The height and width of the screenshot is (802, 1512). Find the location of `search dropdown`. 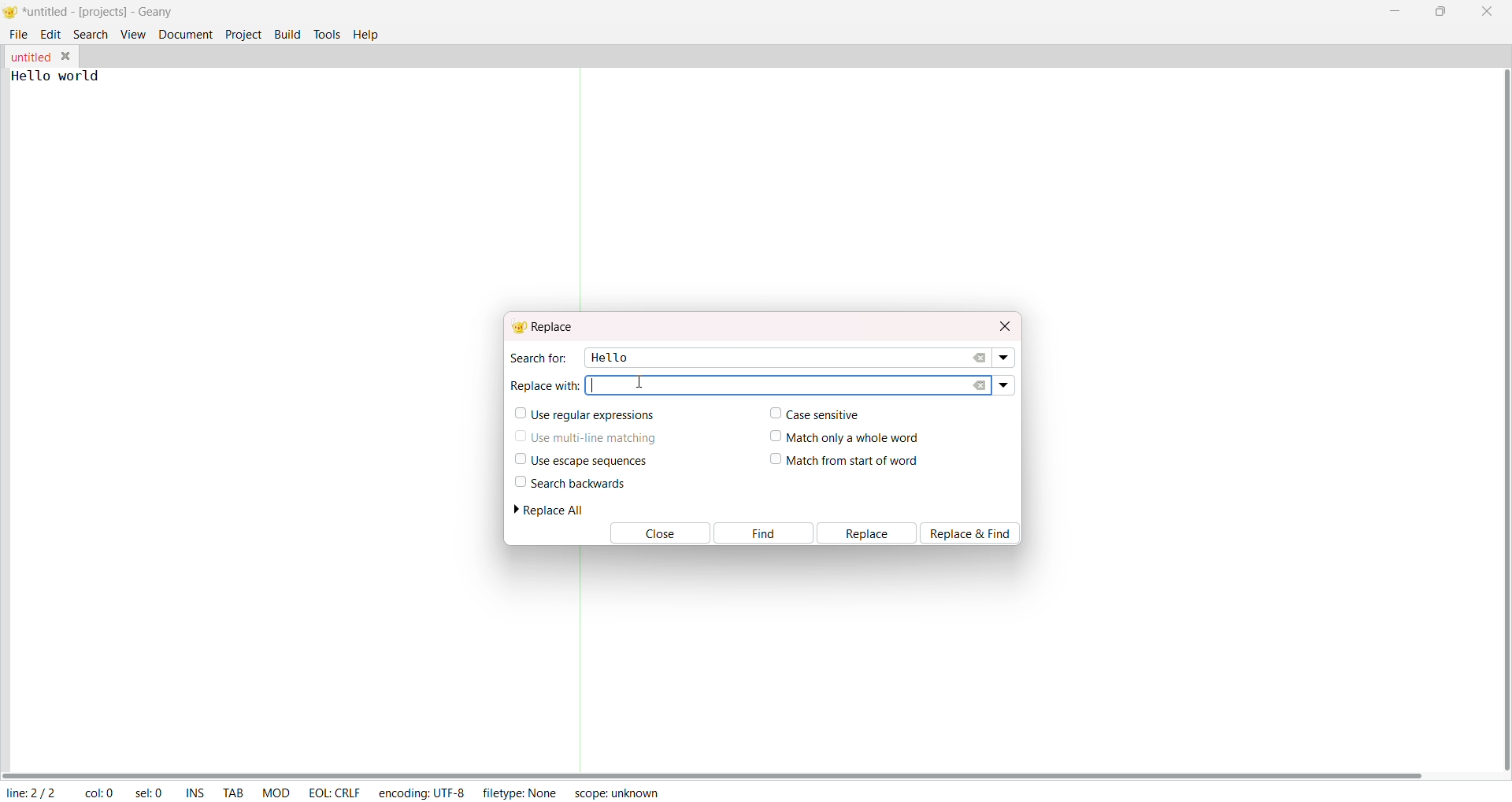

search dropdown is located at coordinates (1006, 358).